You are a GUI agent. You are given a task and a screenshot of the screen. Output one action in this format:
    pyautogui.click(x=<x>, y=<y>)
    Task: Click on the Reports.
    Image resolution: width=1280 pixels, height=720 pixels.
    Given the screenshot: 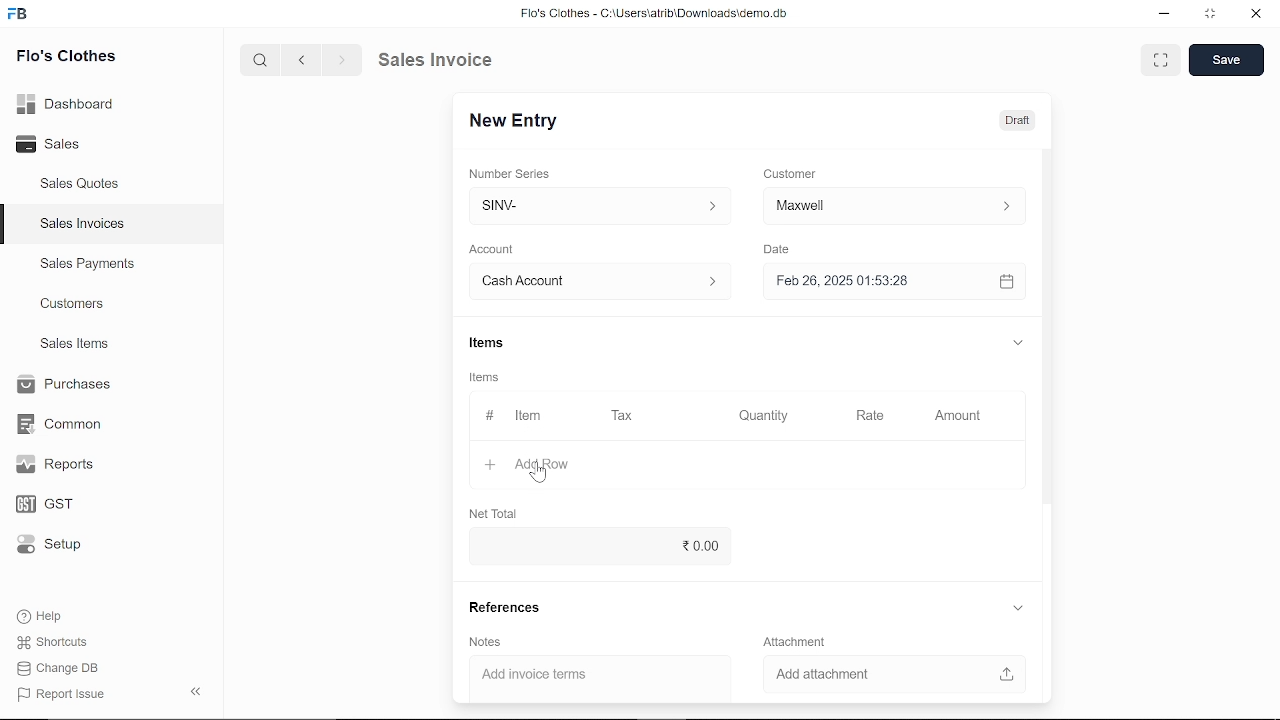 What is the action you would take?
    pyautogui.click(x=63, y=464)
    